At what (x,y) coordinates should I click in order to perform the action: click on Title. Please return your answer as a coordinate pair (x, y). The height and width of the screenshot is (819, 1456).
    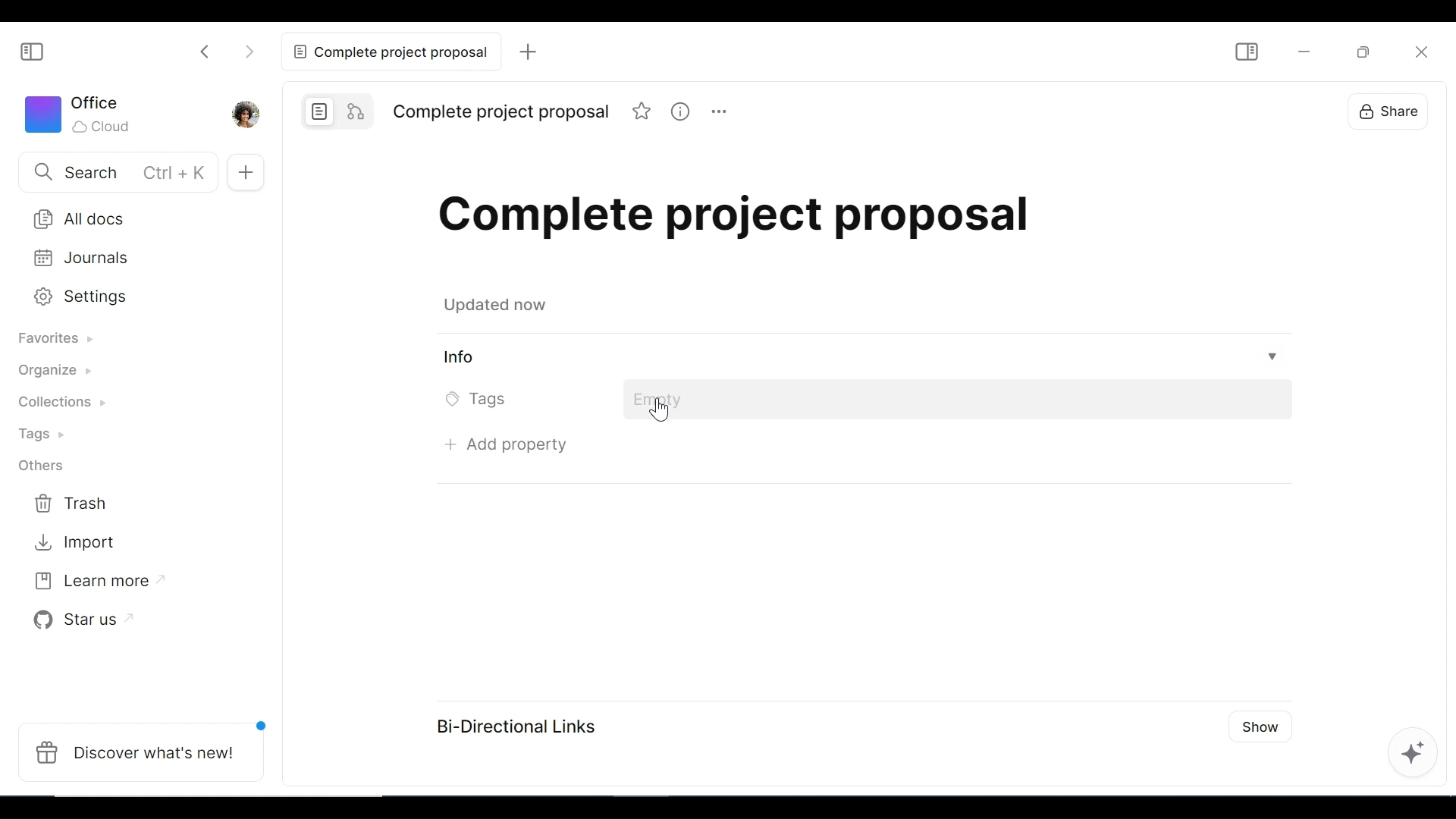
    Looking at the image, I should click on (501, 110).